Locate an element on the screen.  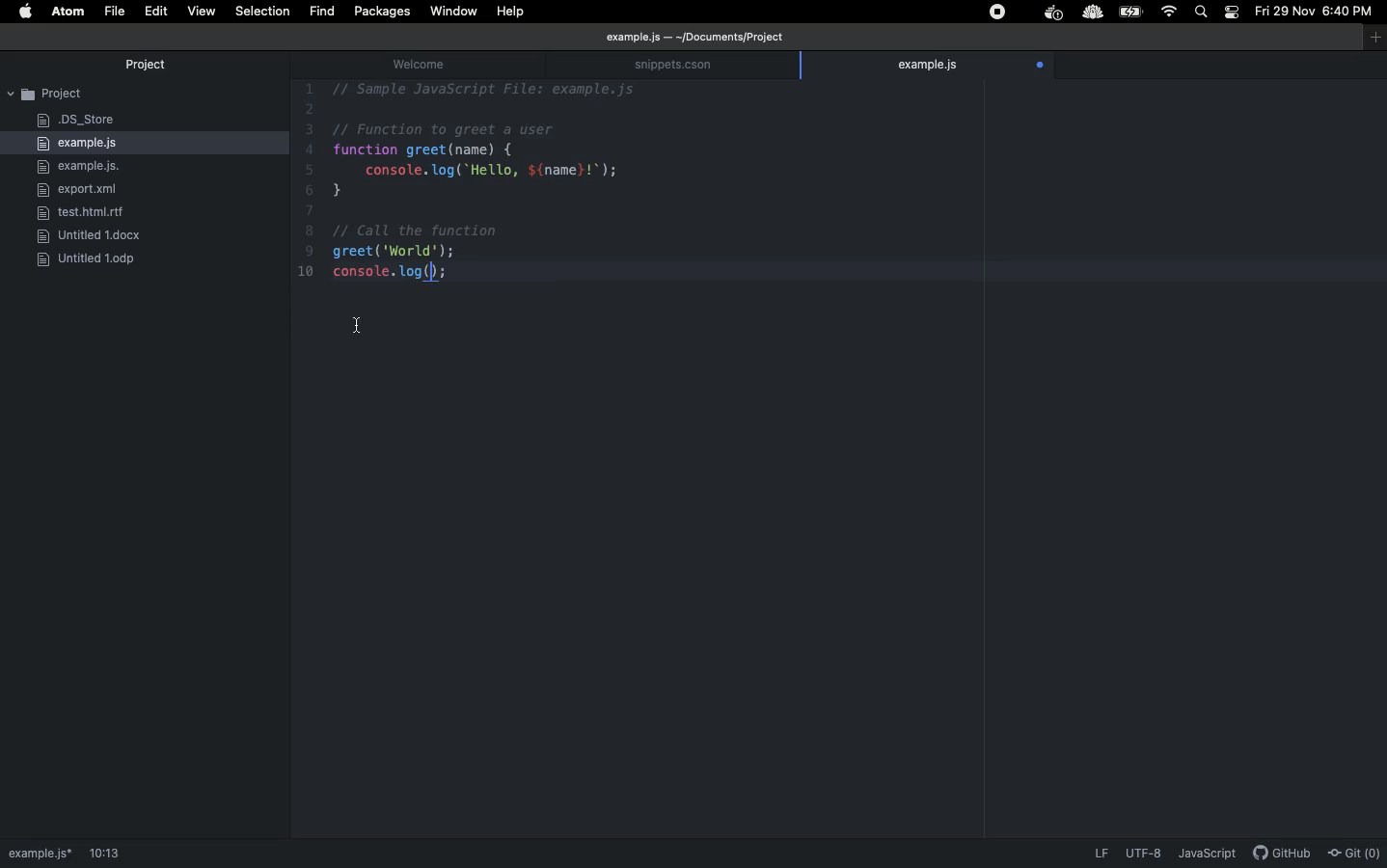
Code is located at coordinates (510, 179).